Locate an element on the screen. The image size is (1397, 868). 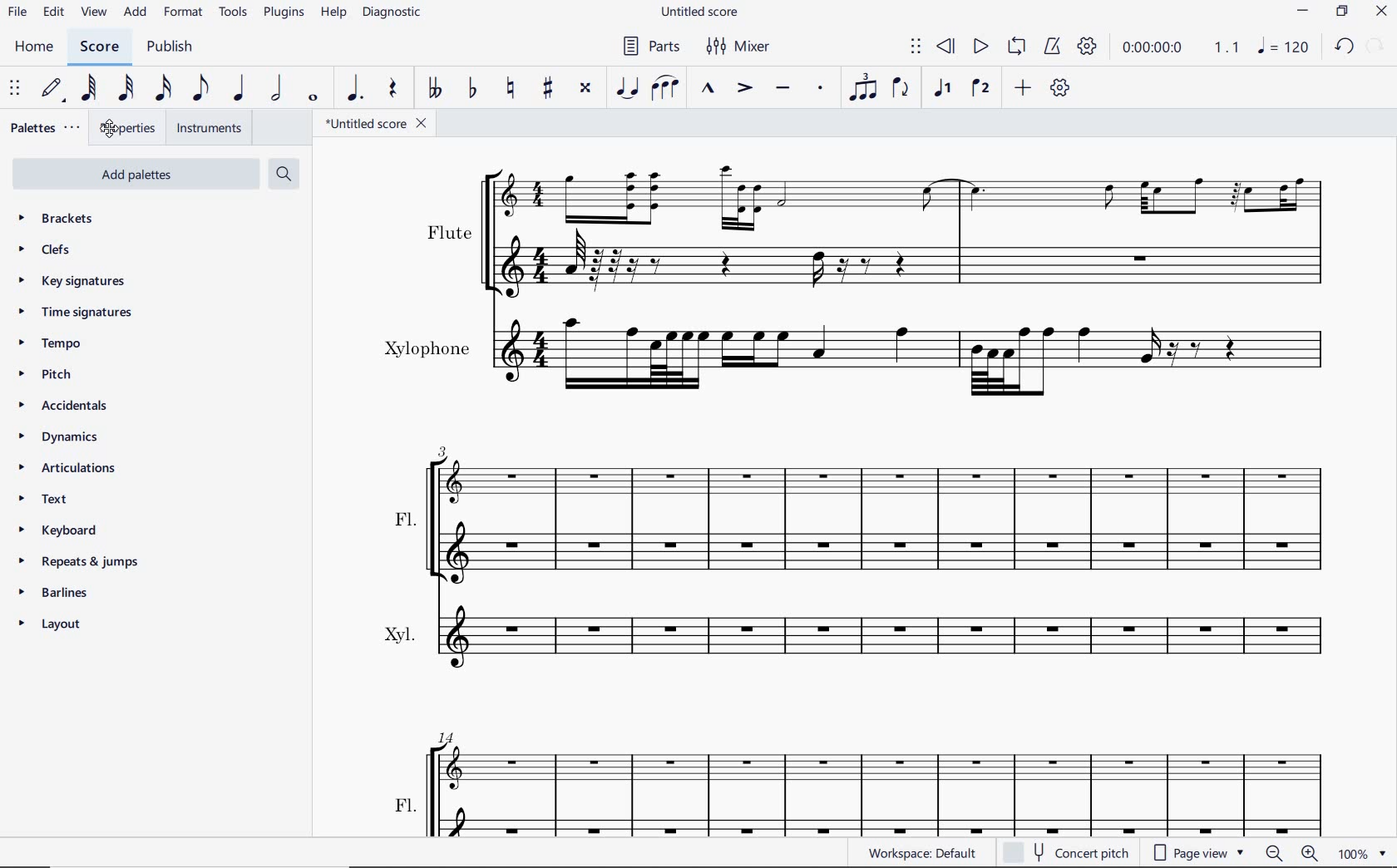
METRONOME is located at coordinates (1054, 48).